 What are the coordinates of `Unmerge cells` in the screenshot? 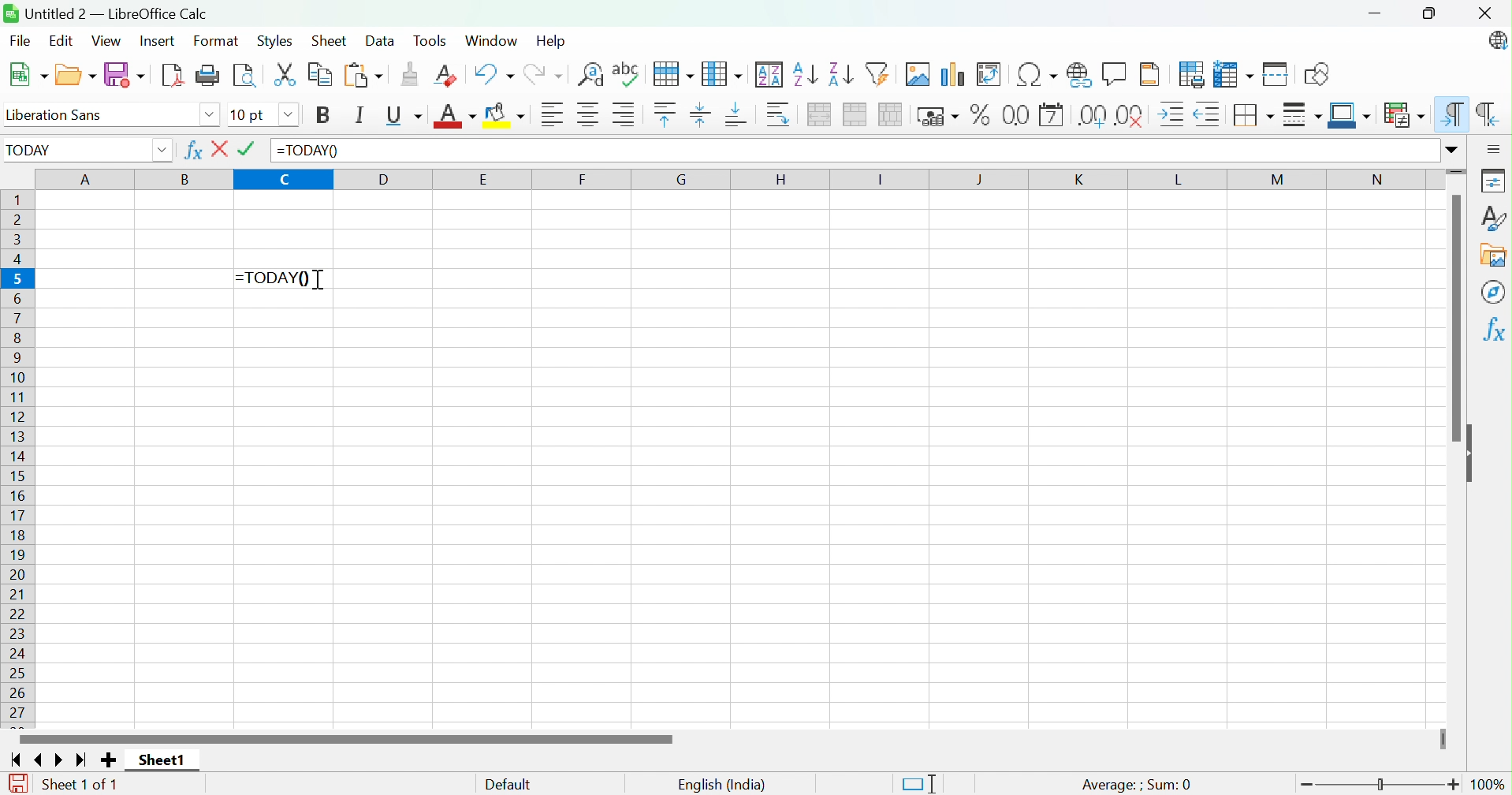 It's located at (892, 114).